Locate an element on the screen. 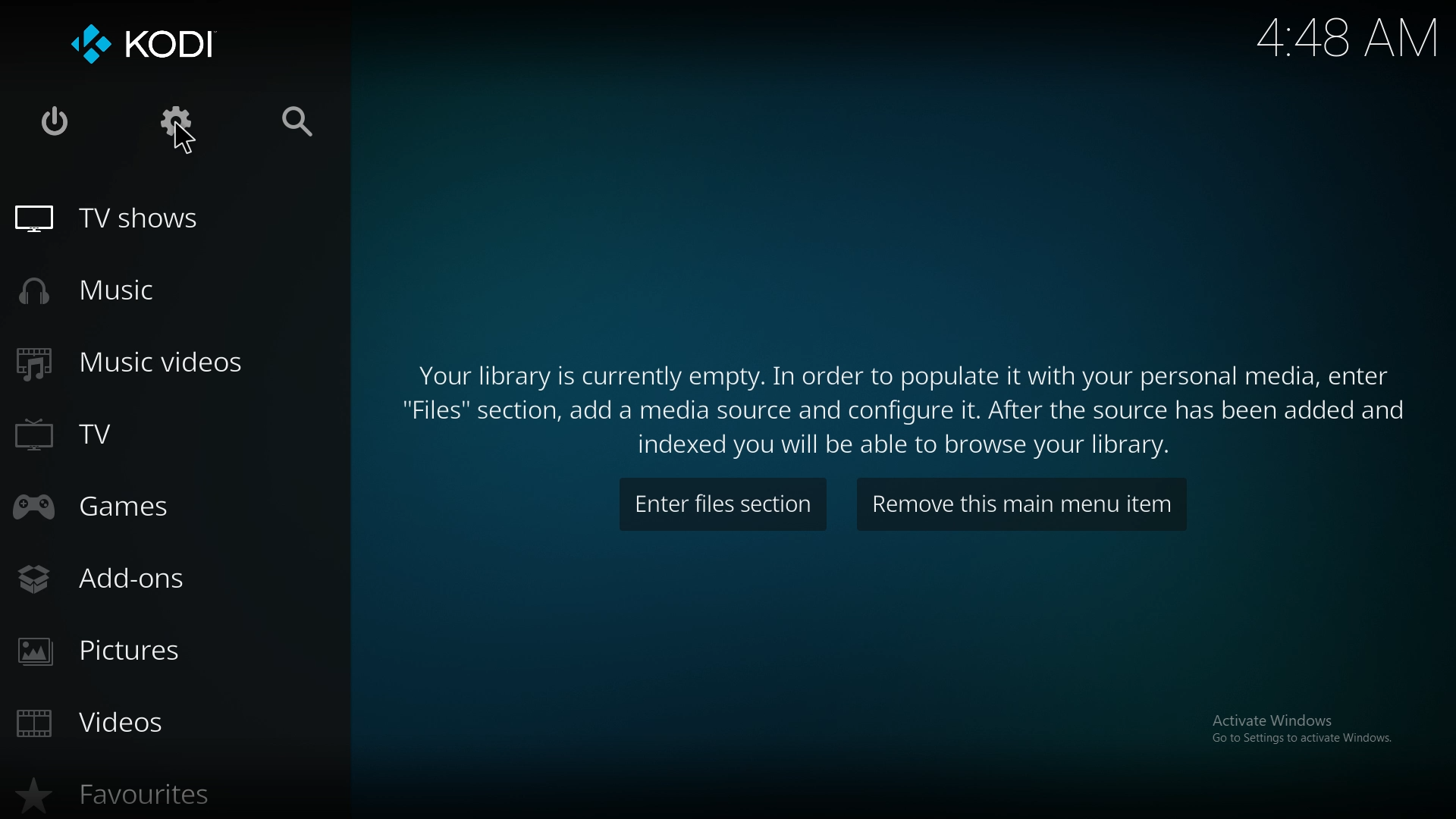 This screenshot has width=1456, height=819. games is located at coordinates (123, 508).